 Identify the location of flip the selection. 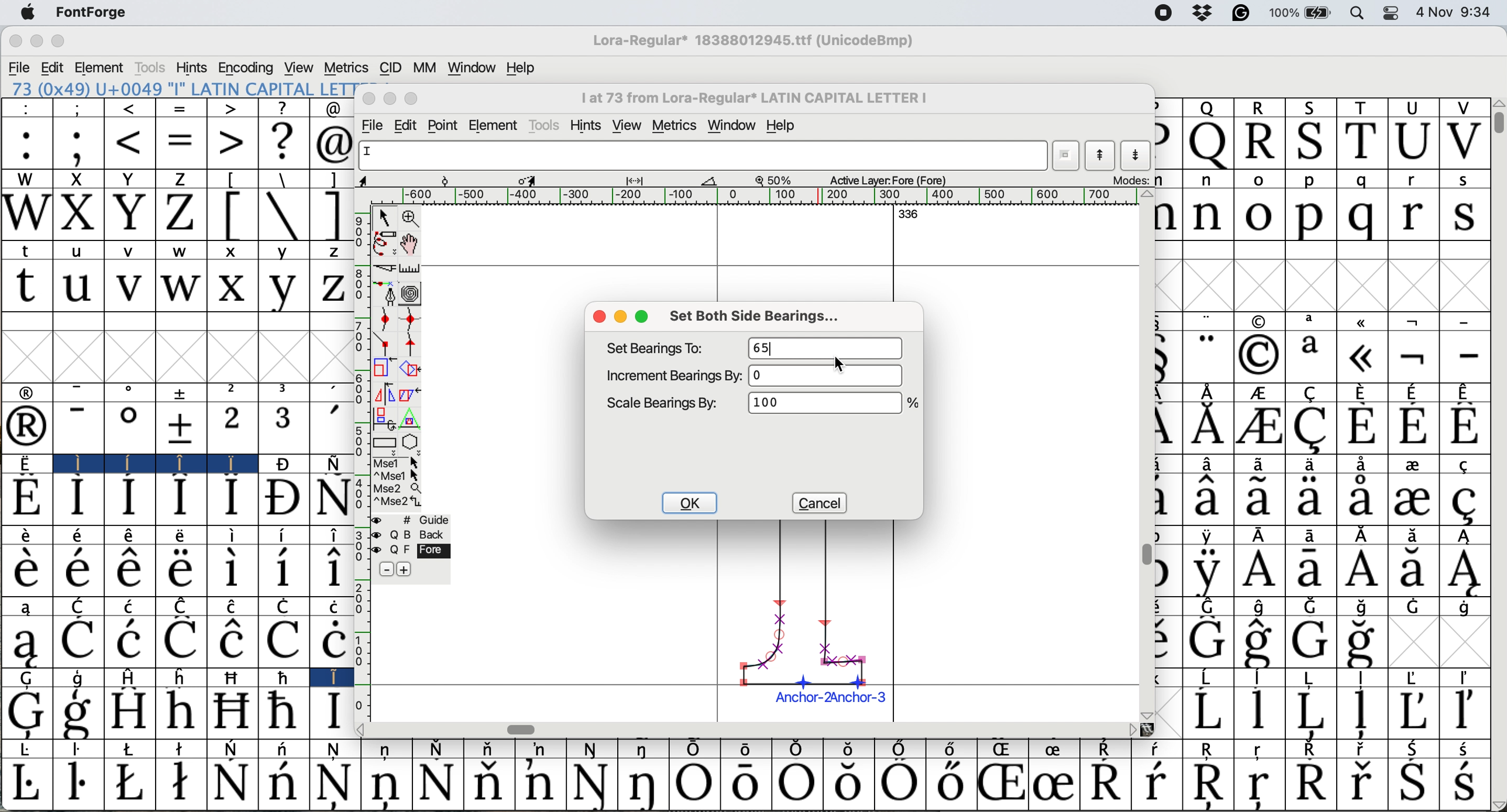
(383, 393).